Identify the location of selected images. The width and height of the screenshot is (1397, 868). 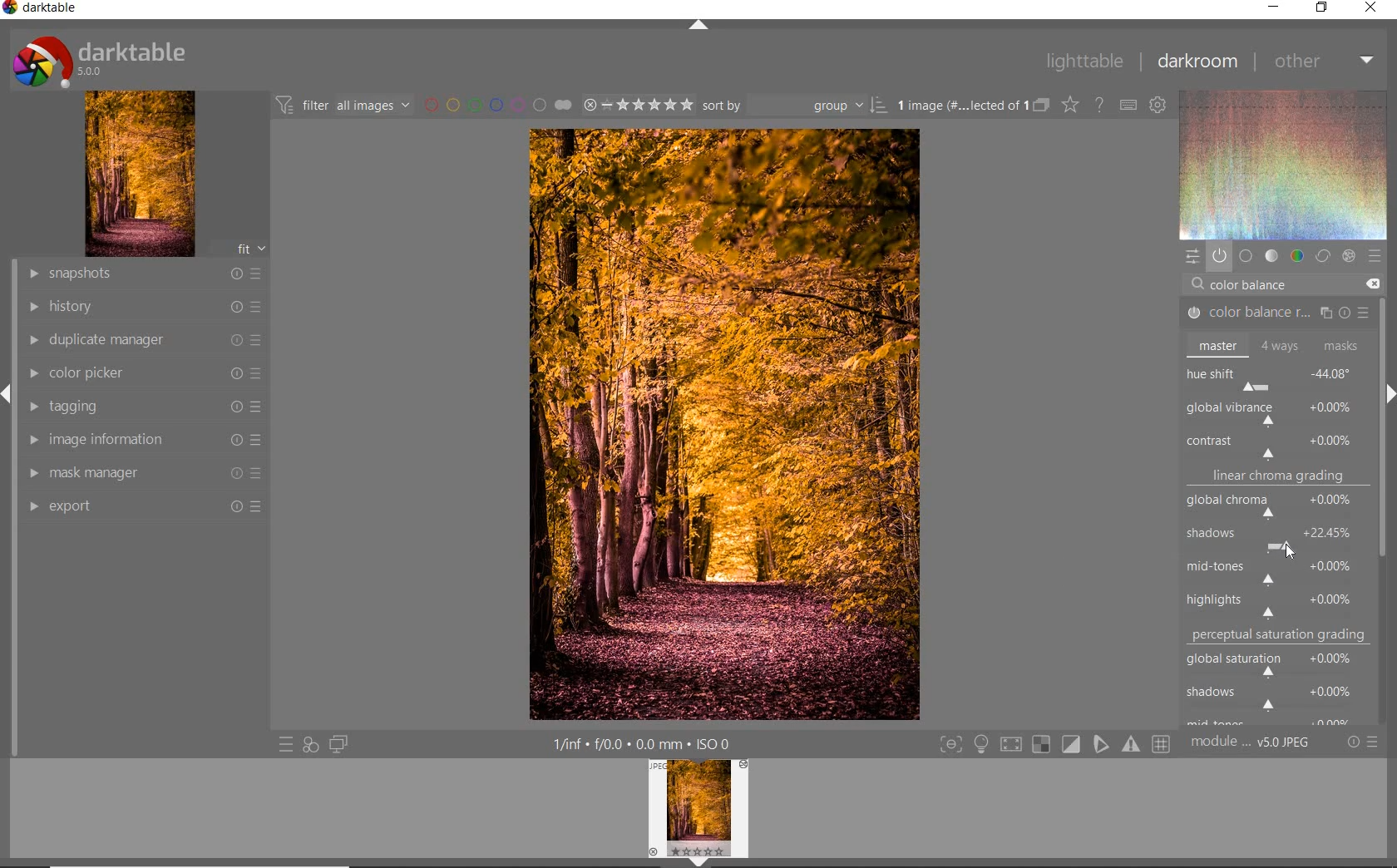
(959, 106).